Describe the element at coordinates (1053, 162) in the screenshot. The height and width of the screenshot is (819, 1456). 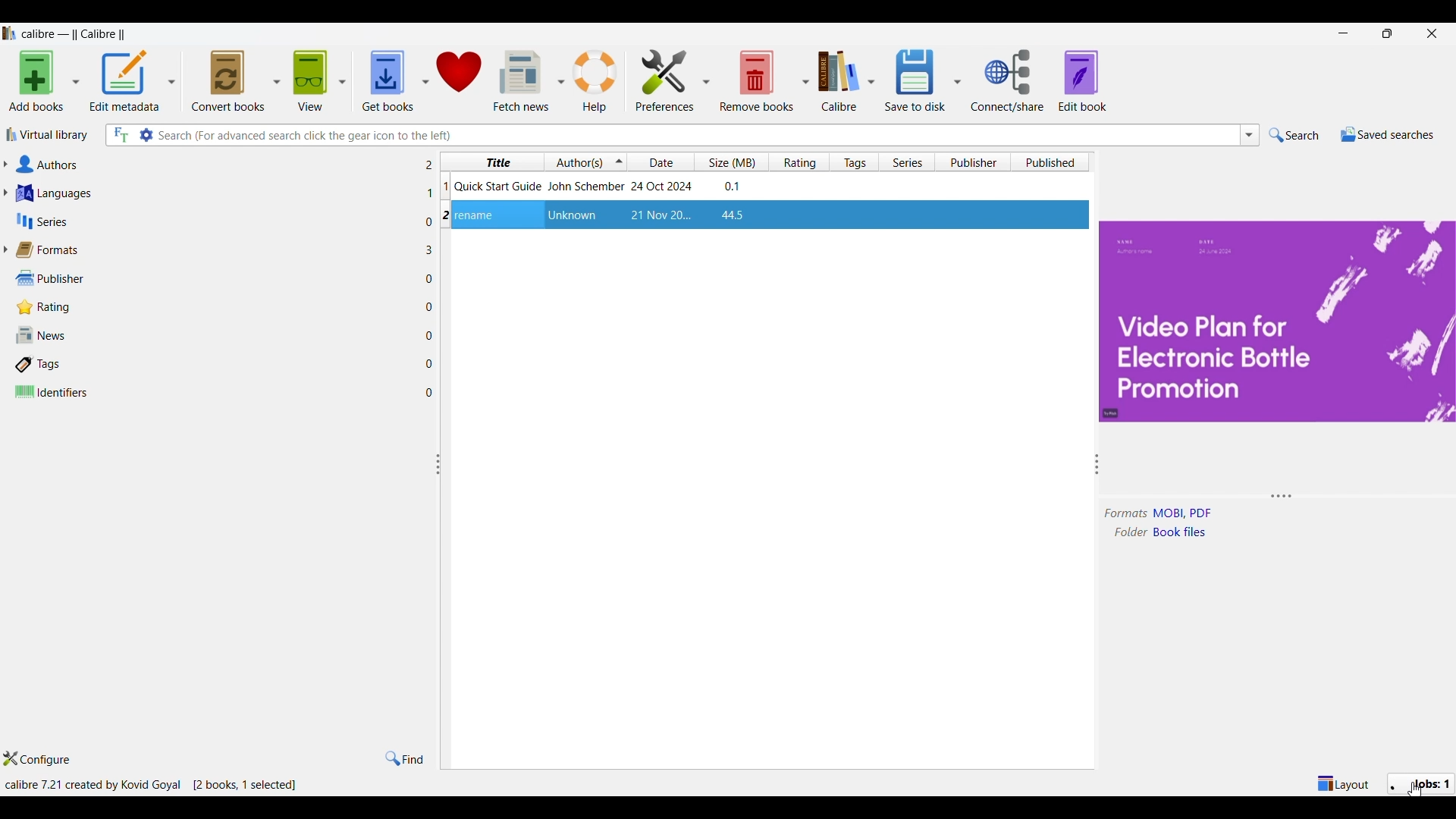
I see `Published column` at that location.